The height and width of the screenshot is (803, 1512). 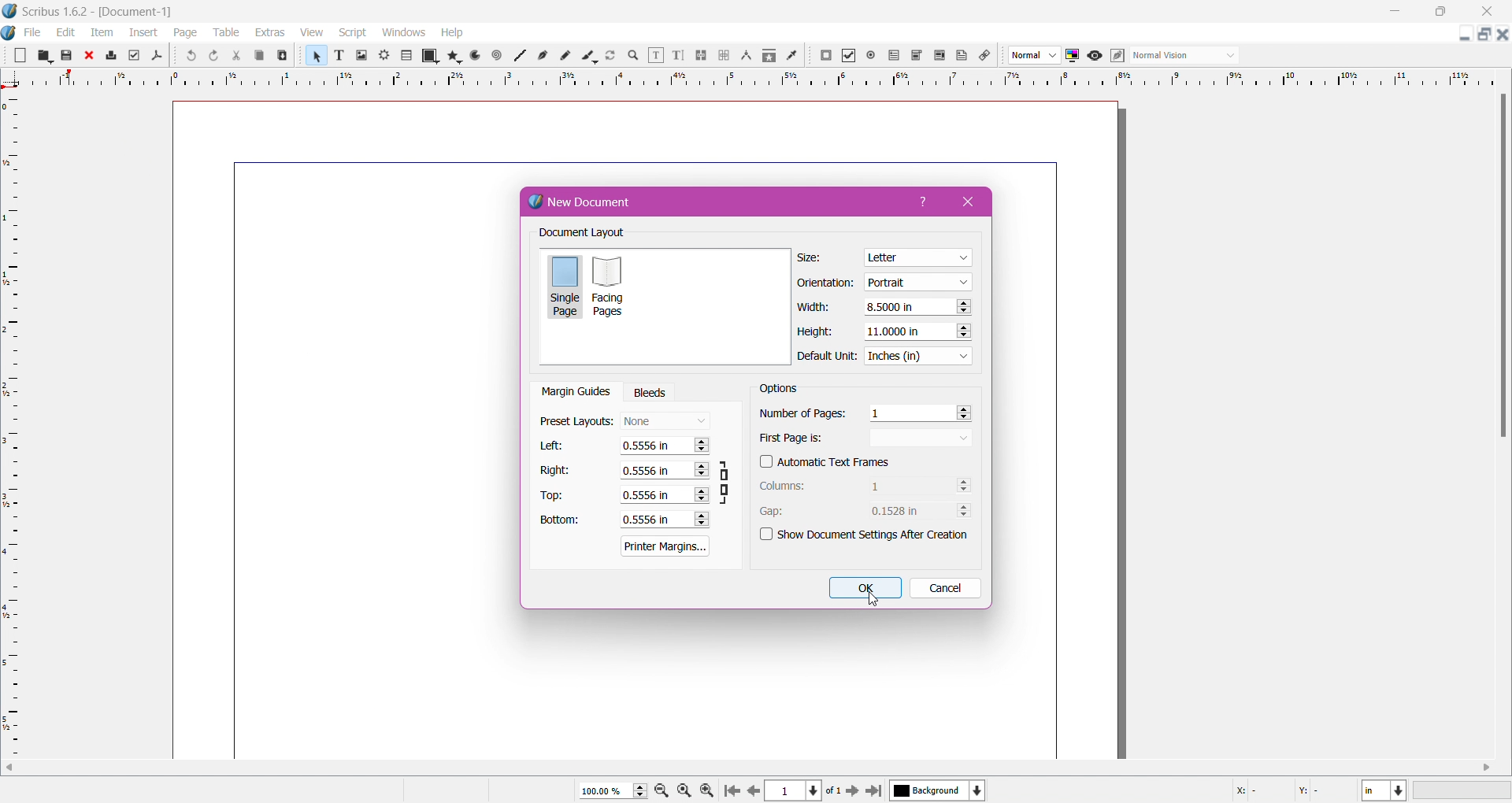 I want to click on vertical scroll bar, so click(x=757, y=768).